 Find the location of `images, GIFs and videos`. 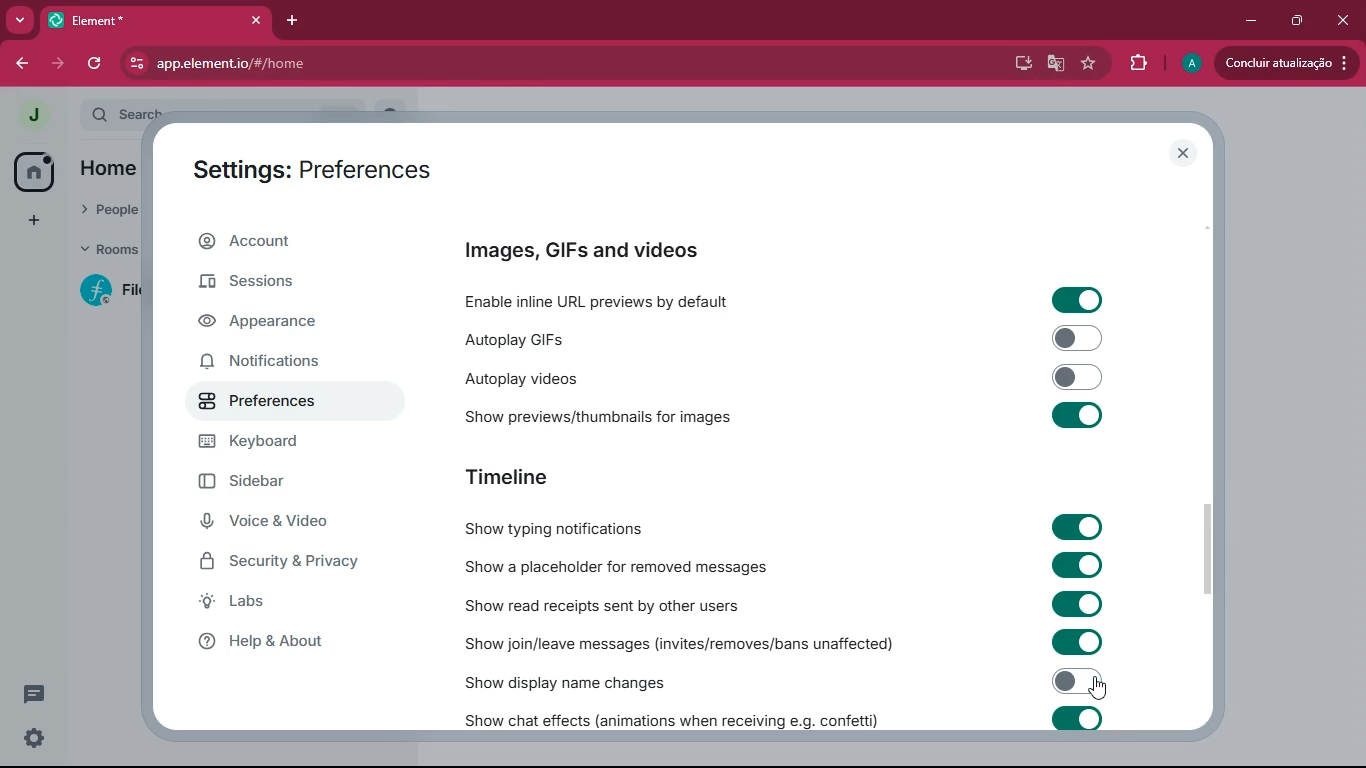

images, GIFs and videos is located at coordinates (591, 250).